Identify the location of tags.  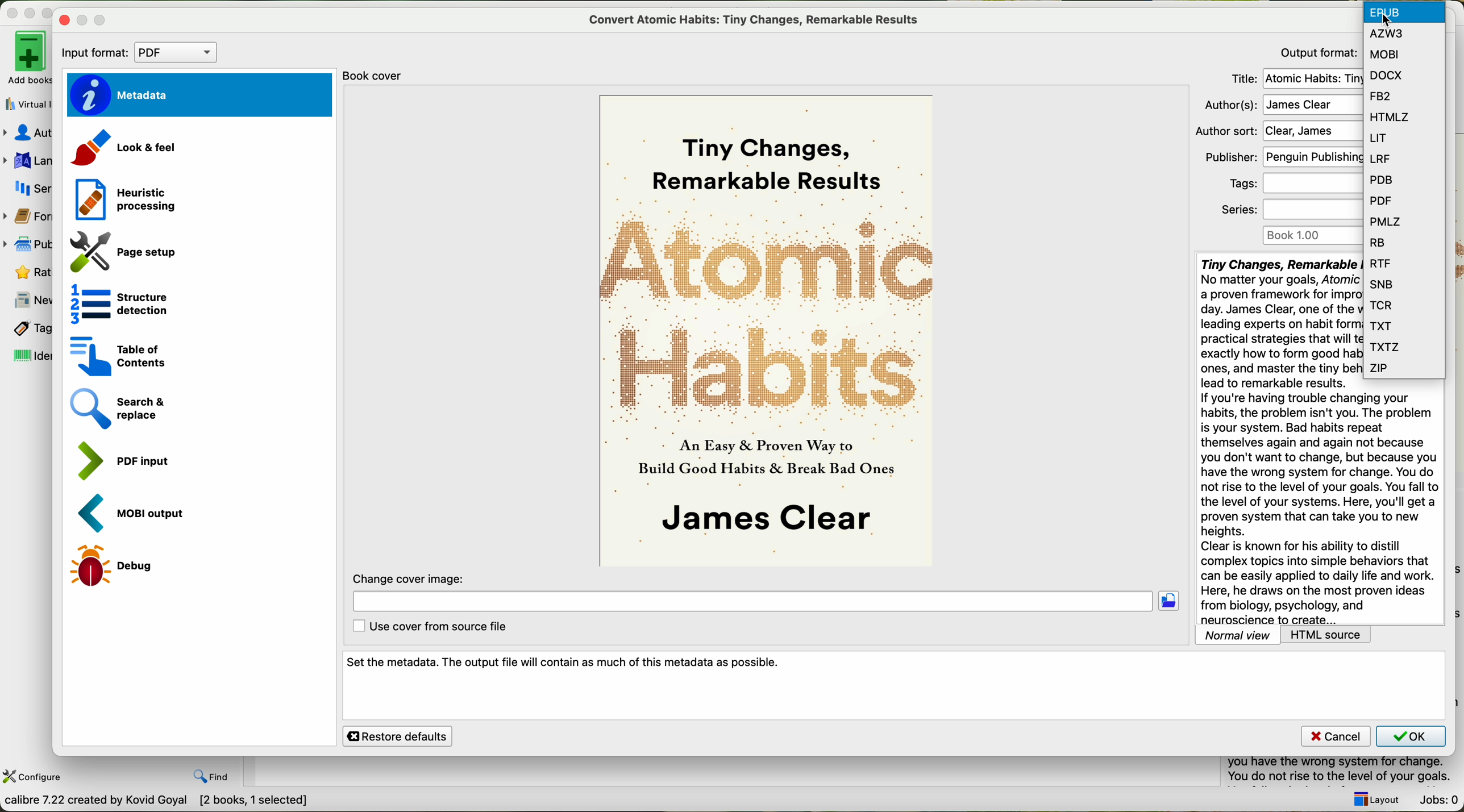
(1295, 184).